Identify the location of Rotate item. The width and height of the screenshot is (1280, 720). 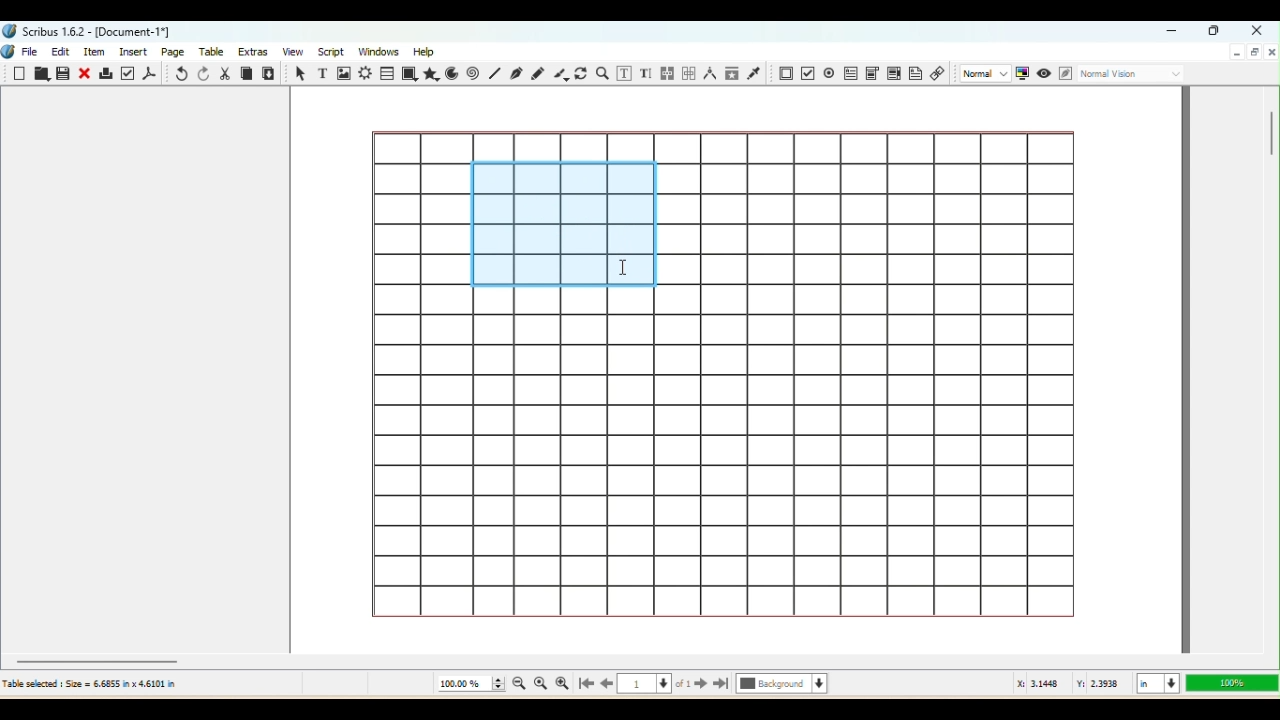
(581, 74).